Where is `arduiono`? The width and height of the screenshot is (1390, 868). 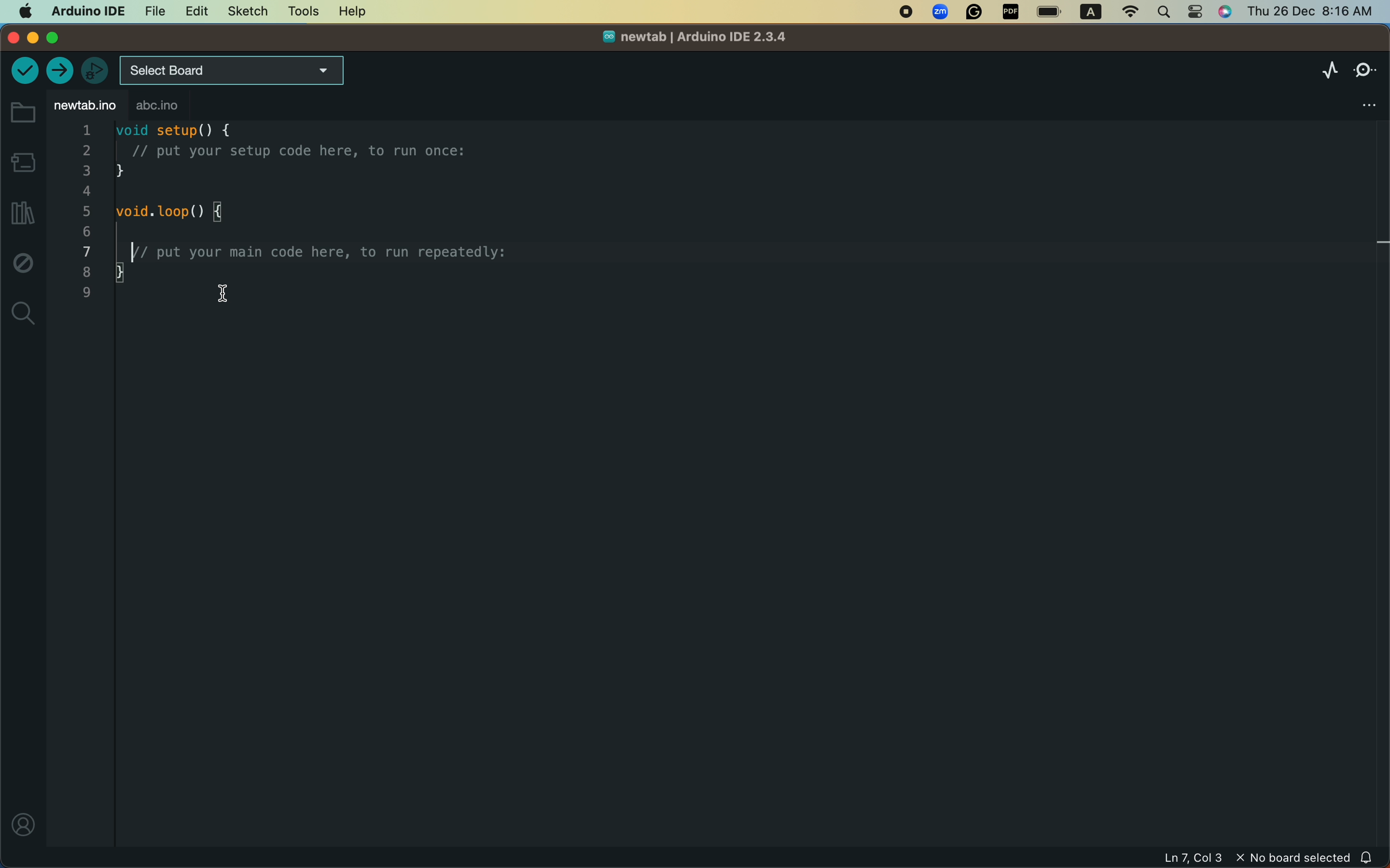 arduiono is located at coordinates (84, 10).